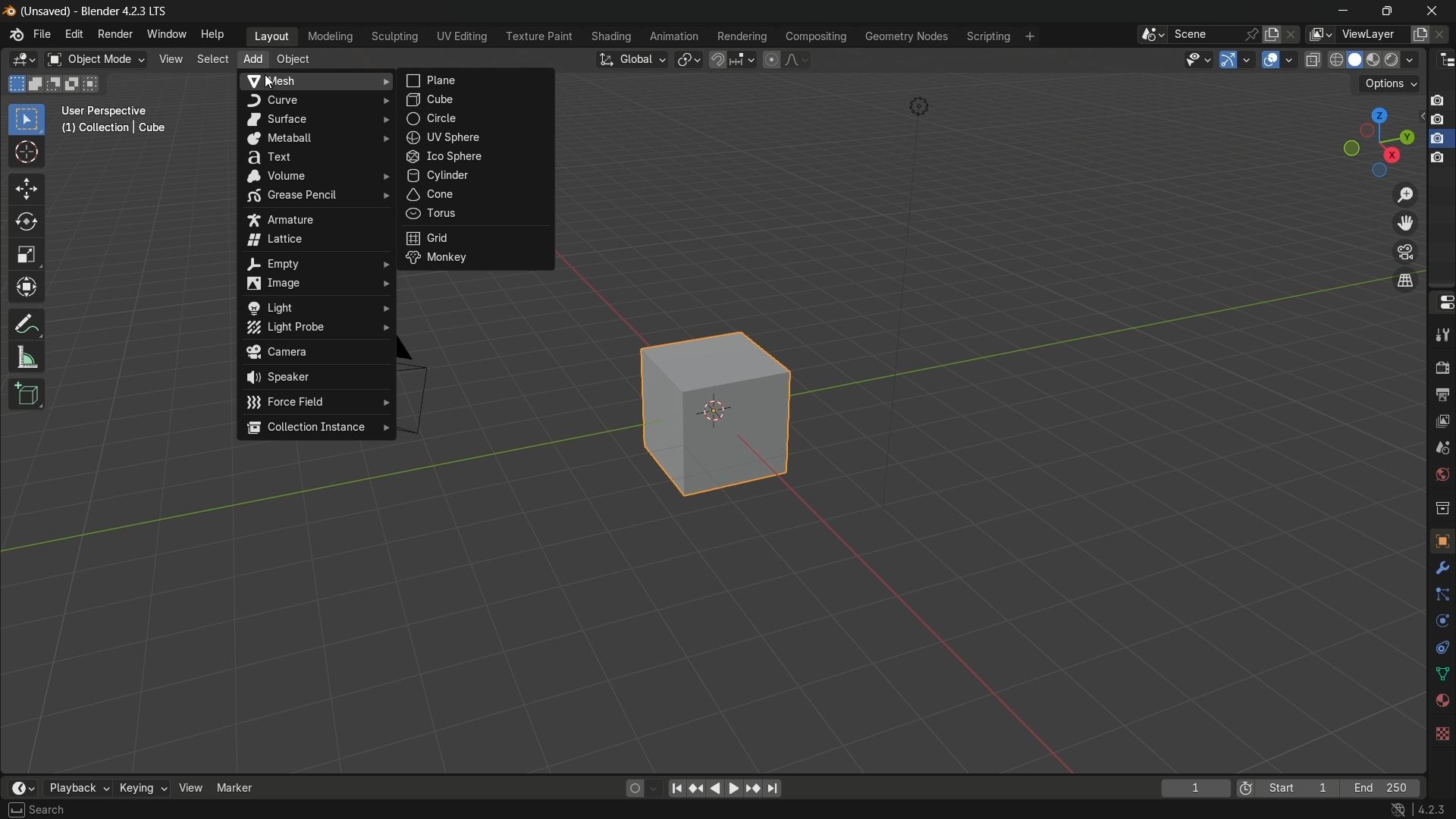 The width and height of the screenshot is (1456, 819). What do you see at coordinates (1376, 61) in the screenshot?
I see `render` at bounding box center [1376, 61].